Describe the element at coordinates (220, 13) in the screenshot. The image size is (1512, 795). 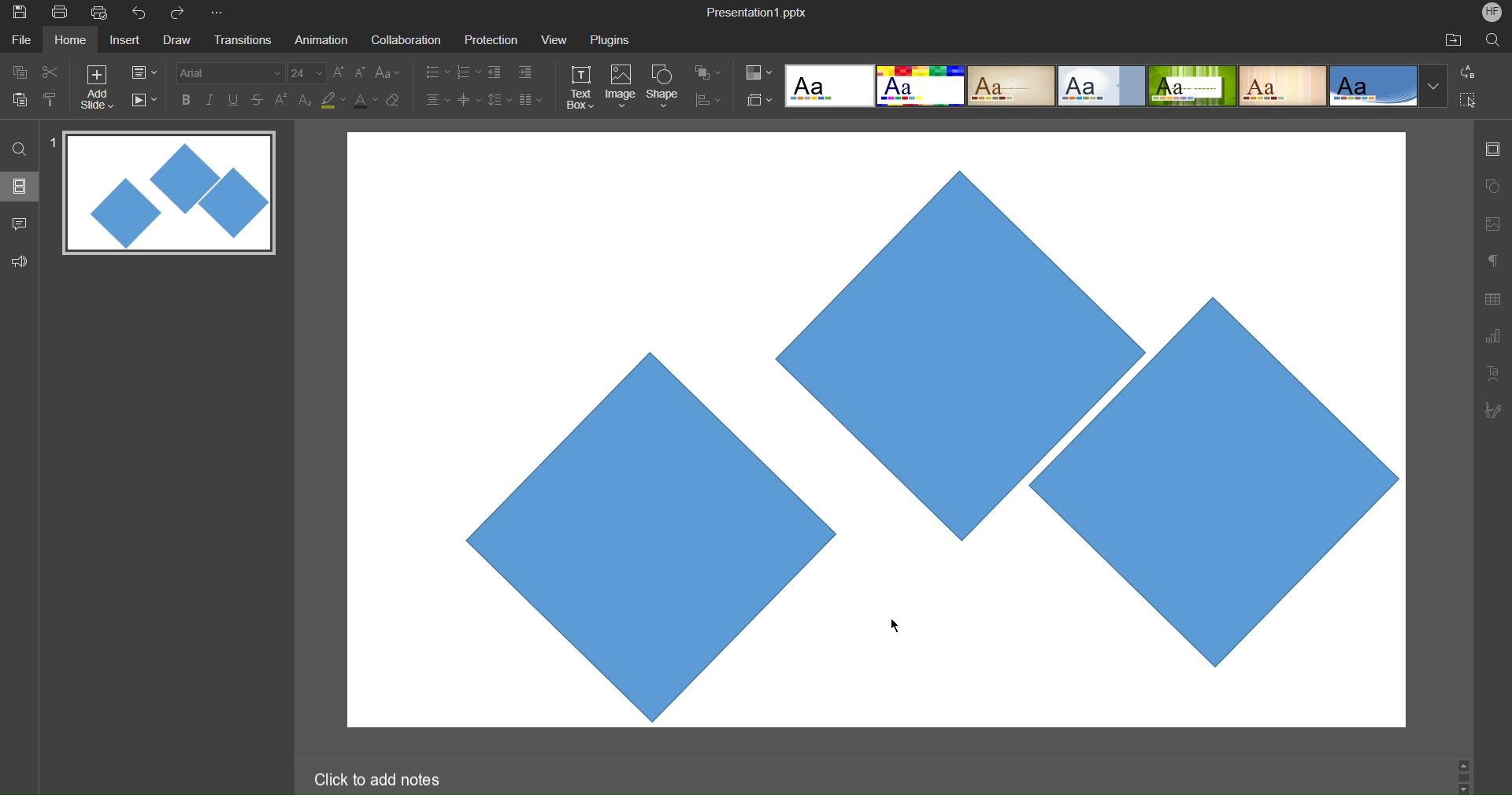
I see `More` at that location.